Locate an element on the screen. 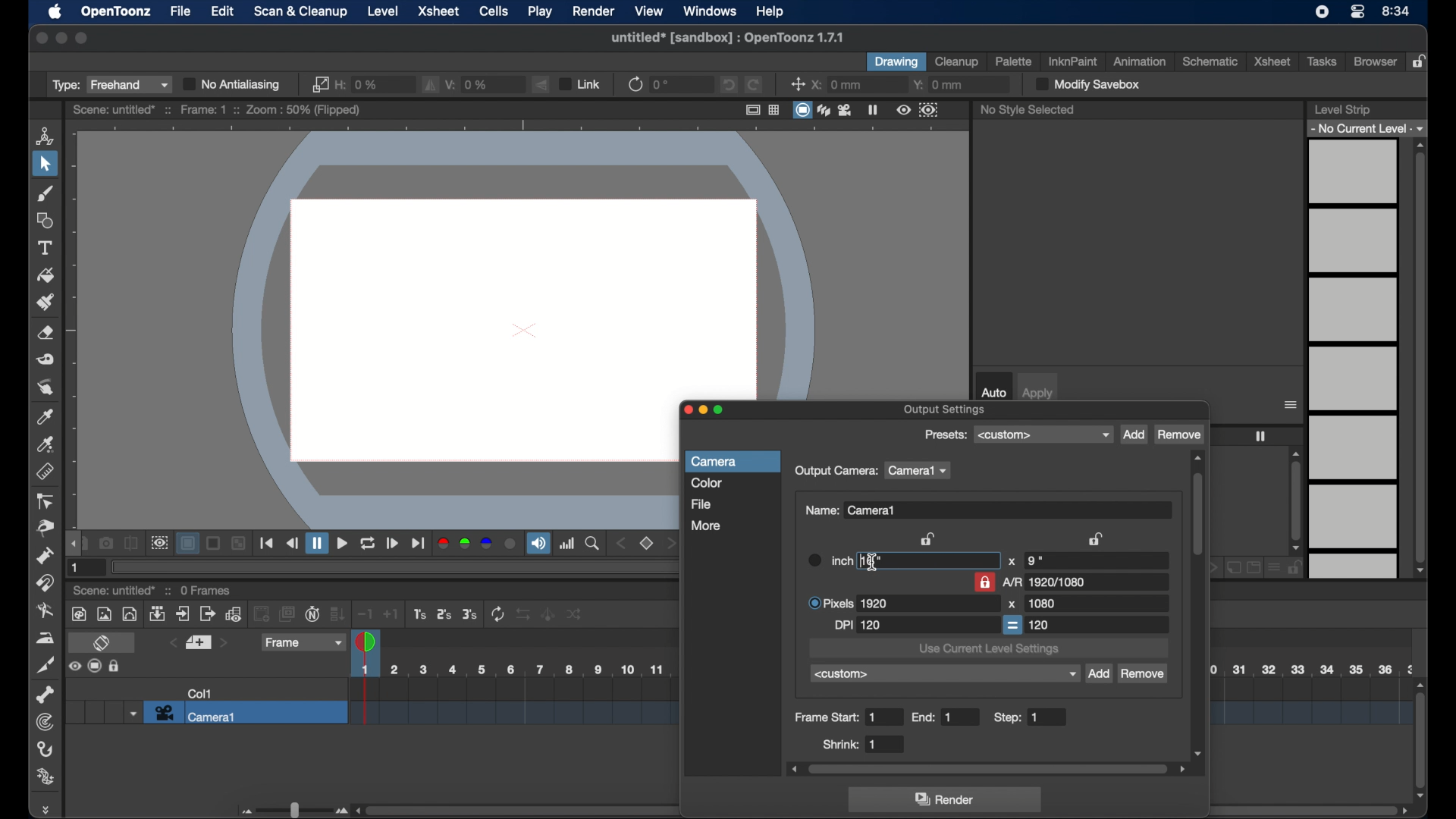 The height and width of the screenshot is (819, 1456). slider is located at coordinates (292, 810).